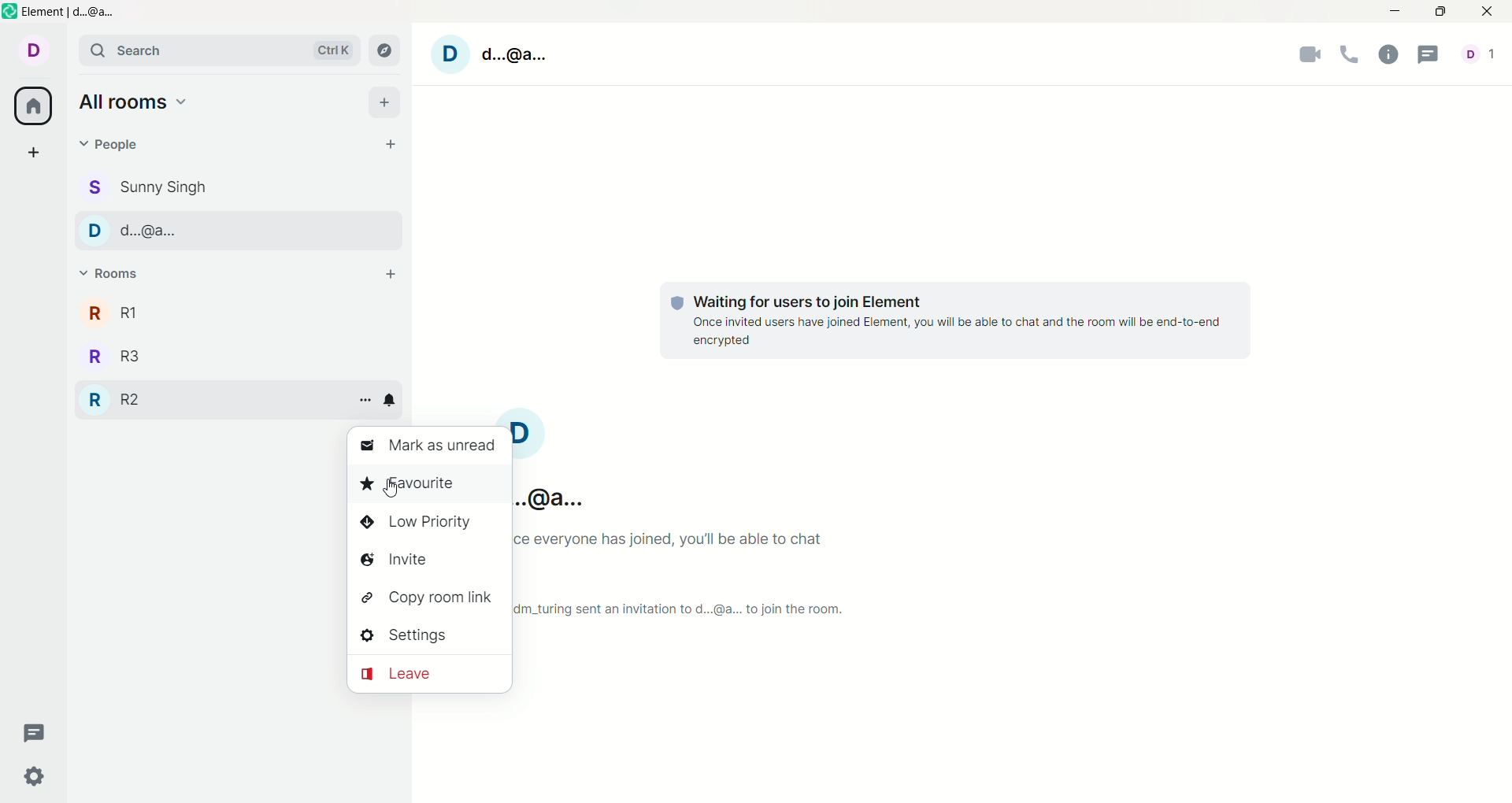  Describe the element at coordinates (390, 401) in the screenshot. I see `Notifications` at that location.